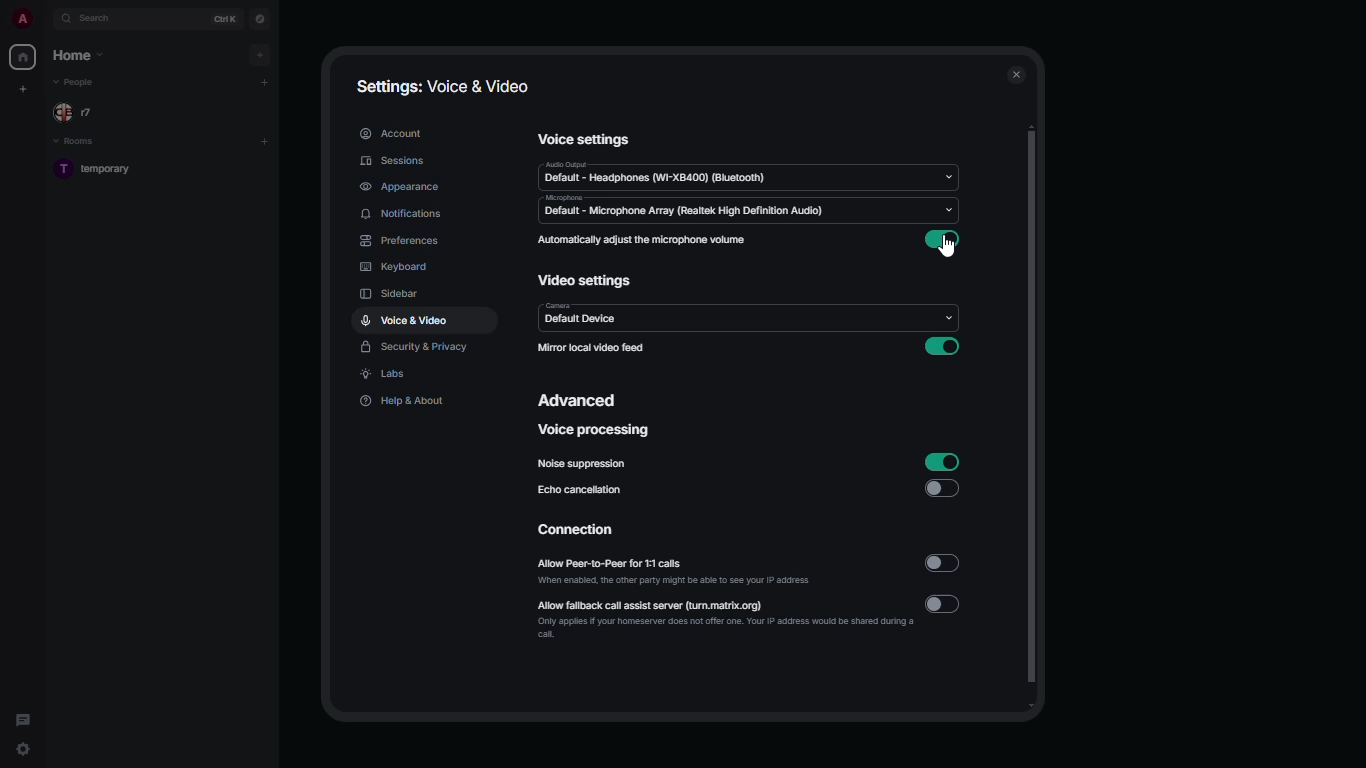  What do you see at coordinates (944, 239) in the screenshot?
I see `enabled` at bounding box center [944, 239].